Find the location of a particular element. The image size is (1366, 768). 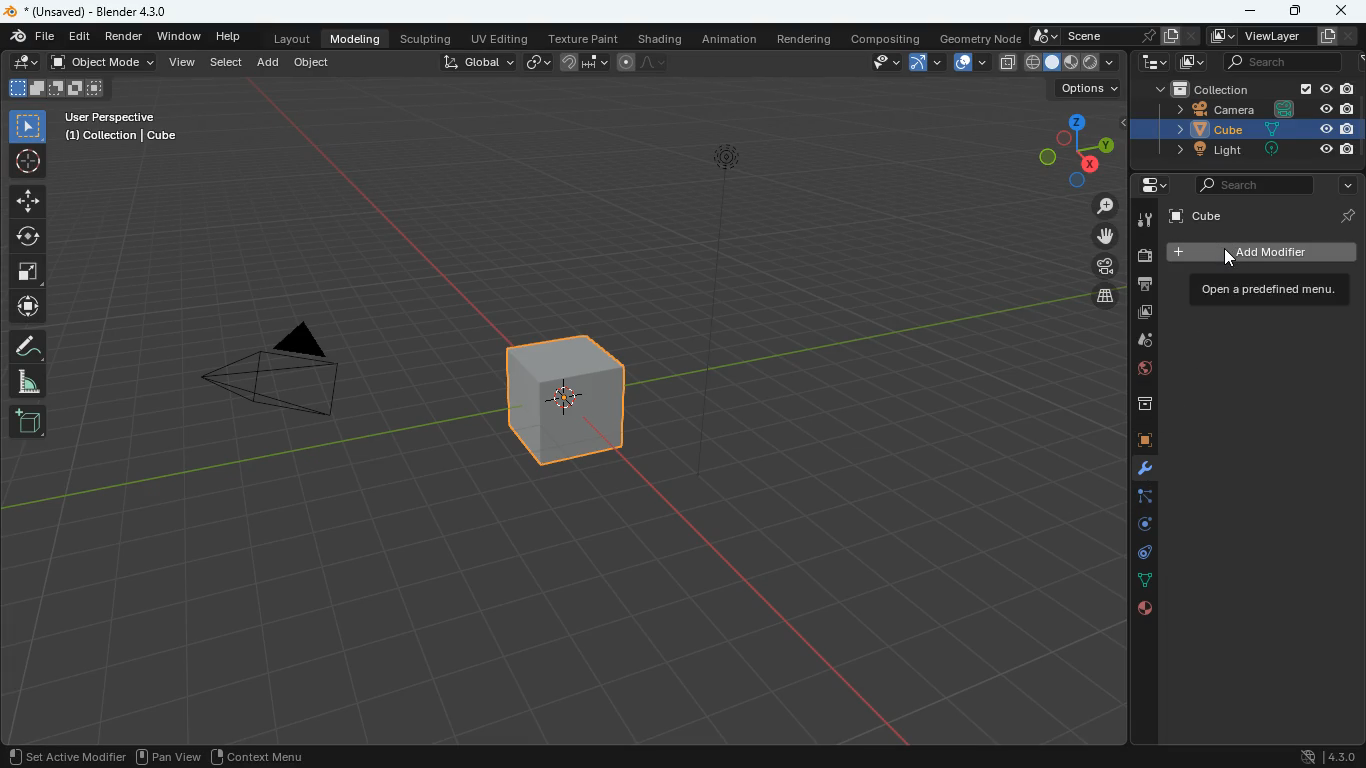

add is located at coordinates (28, 421).